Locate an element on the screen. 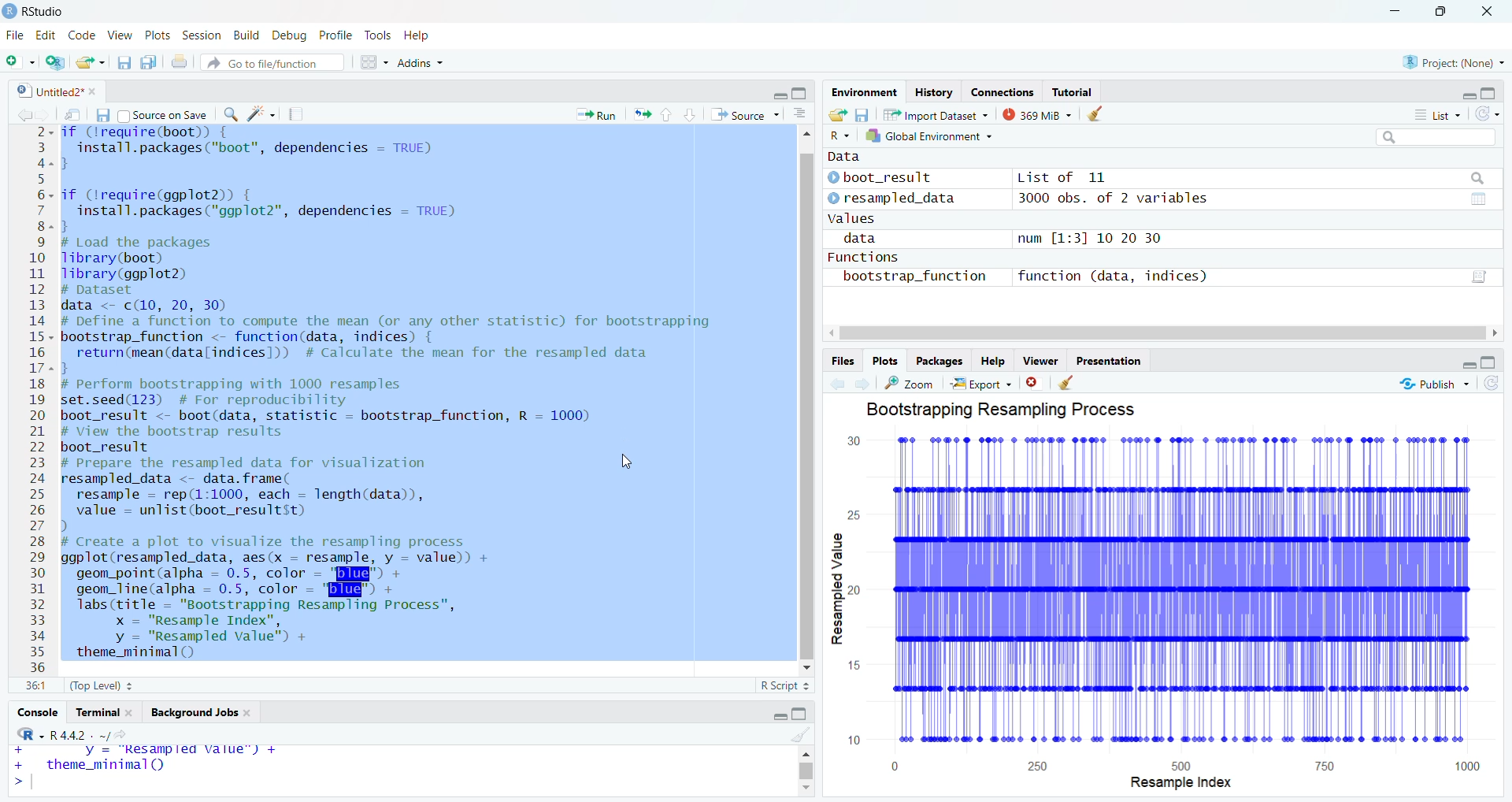   Tools is located at coordinates (376, 35).